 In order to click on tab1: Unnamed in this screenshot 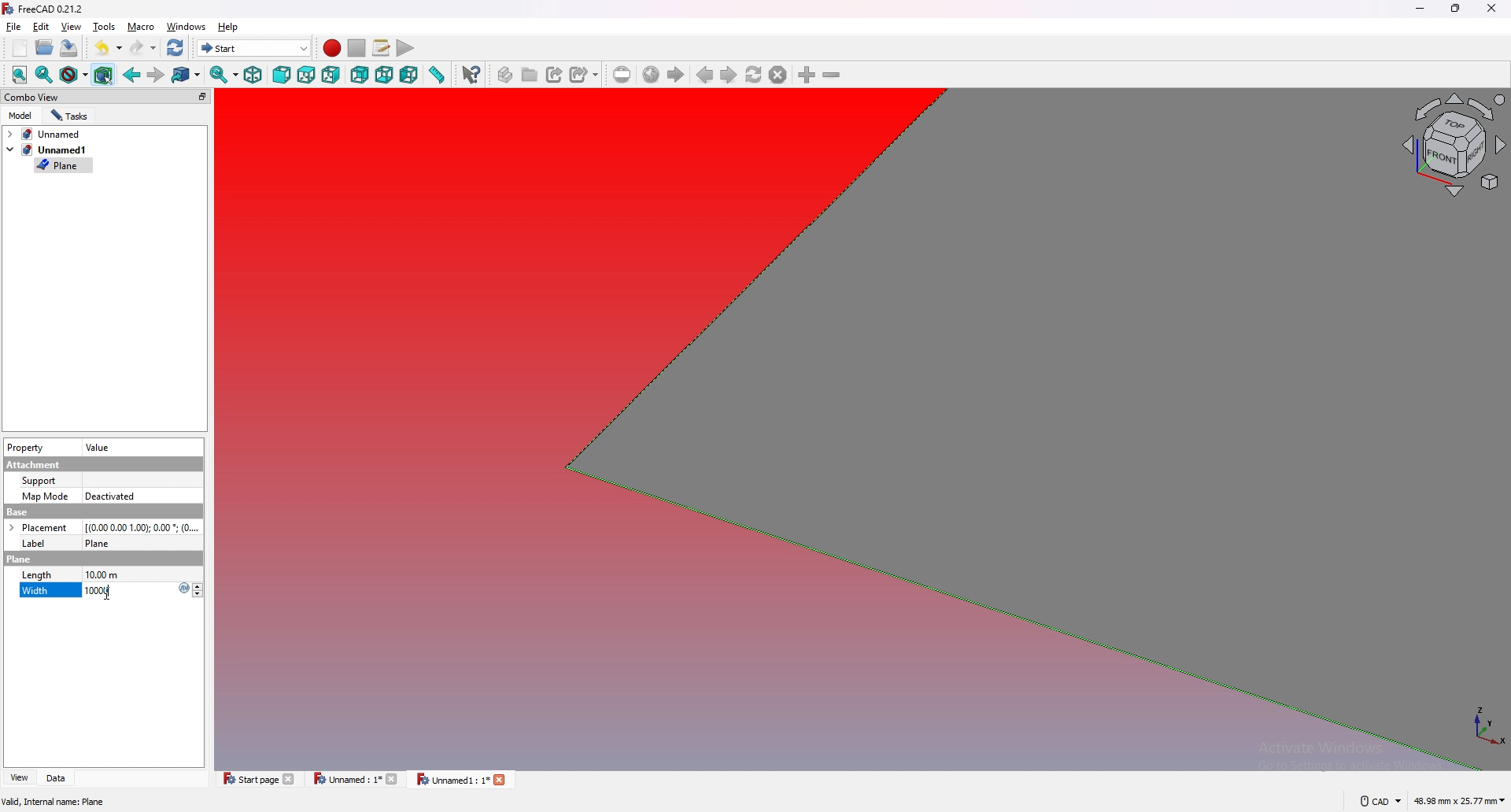, I will do `click(49, 134)`.